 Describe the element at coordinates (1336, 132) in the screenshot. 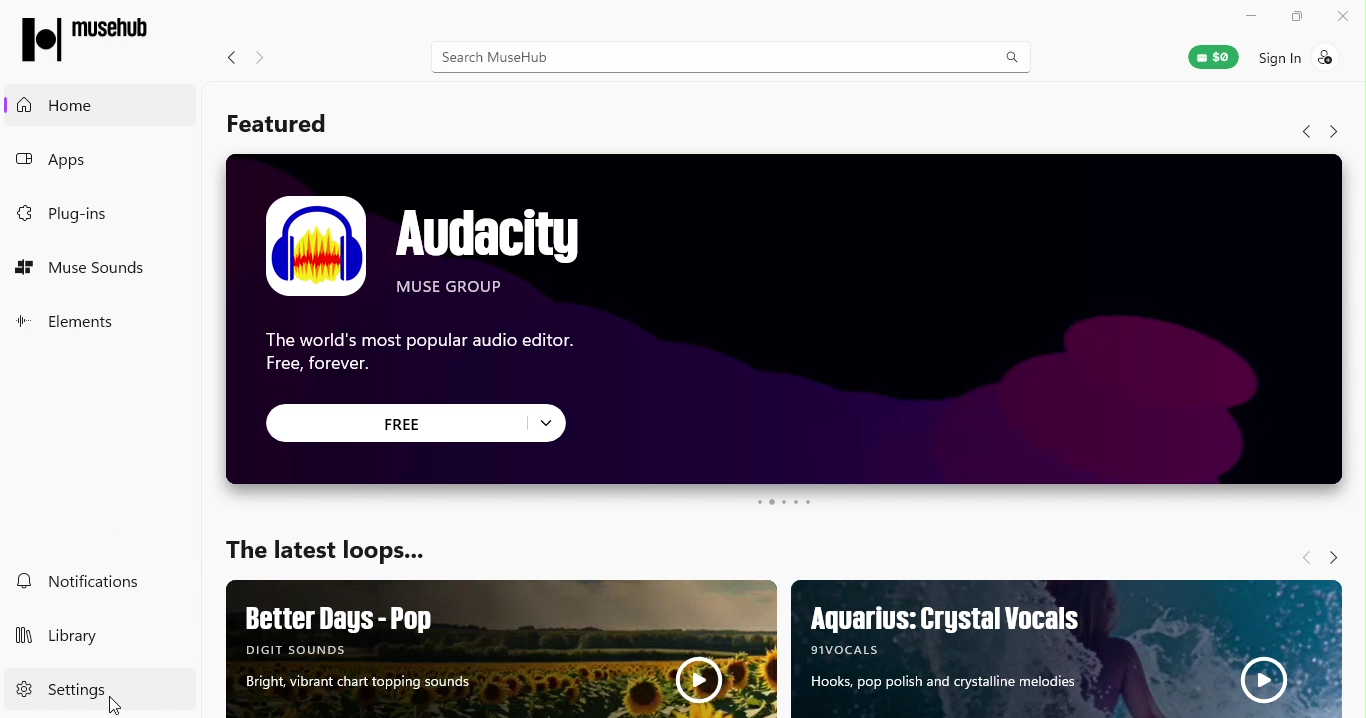

I see `Navigate forward` at that location.